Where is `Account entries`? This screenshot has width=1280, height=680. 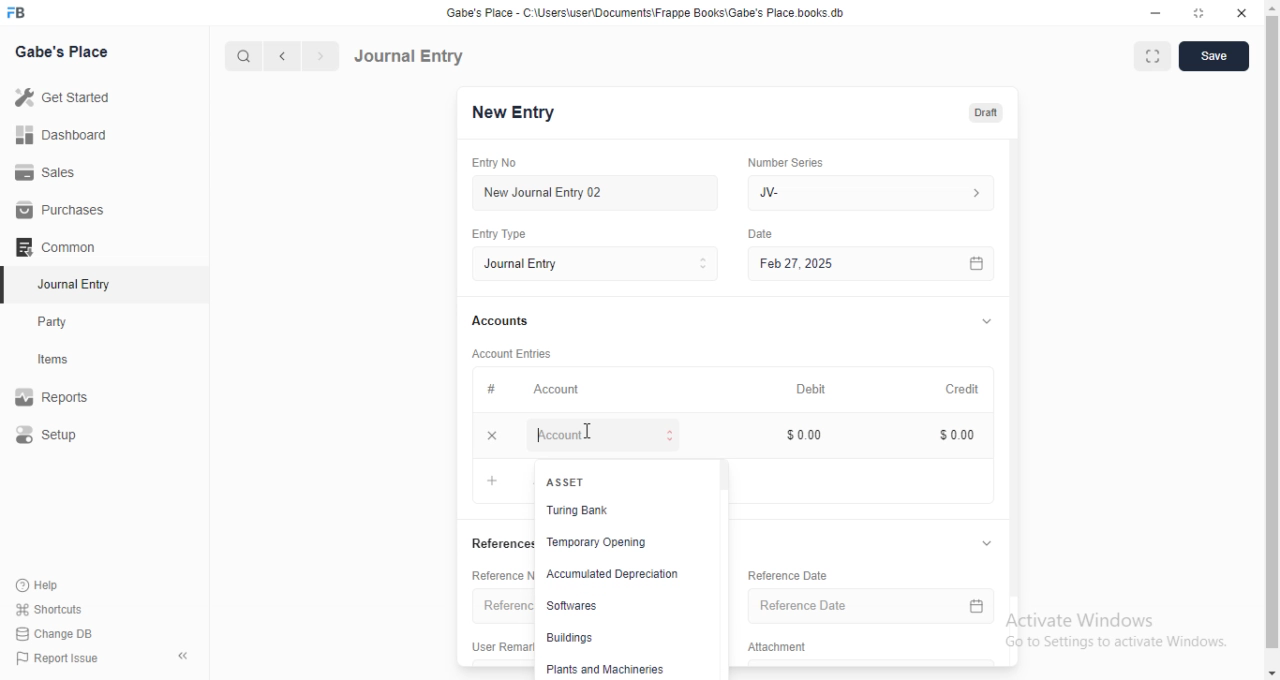 Account entries is located at coordinates (519, 353).